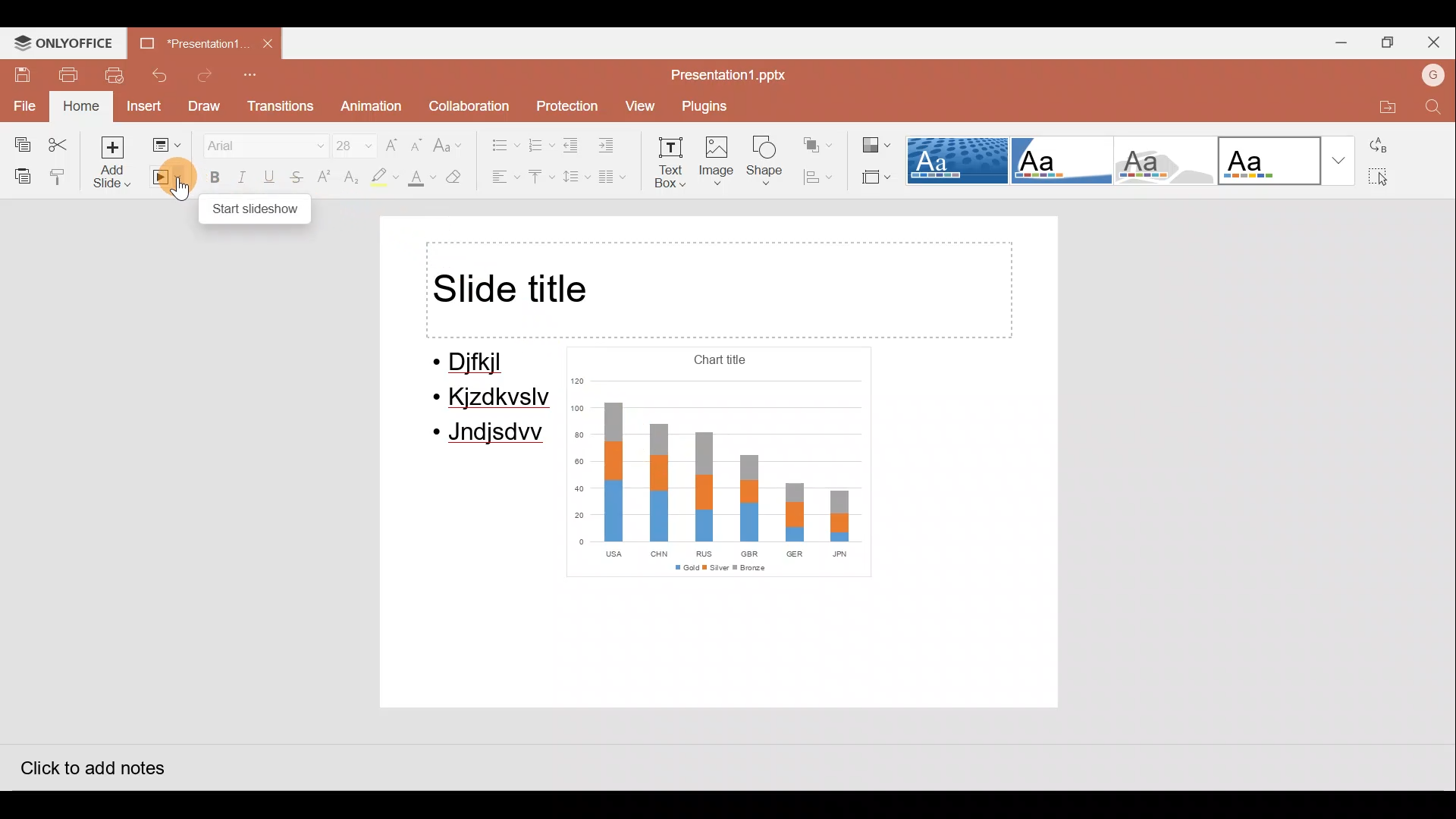 The width and height of the screenshot is (1456, 819). What do you see at coordinates (1386, 178) in the screenshot?
I see `Select all` at bounding box center [1386, 178].